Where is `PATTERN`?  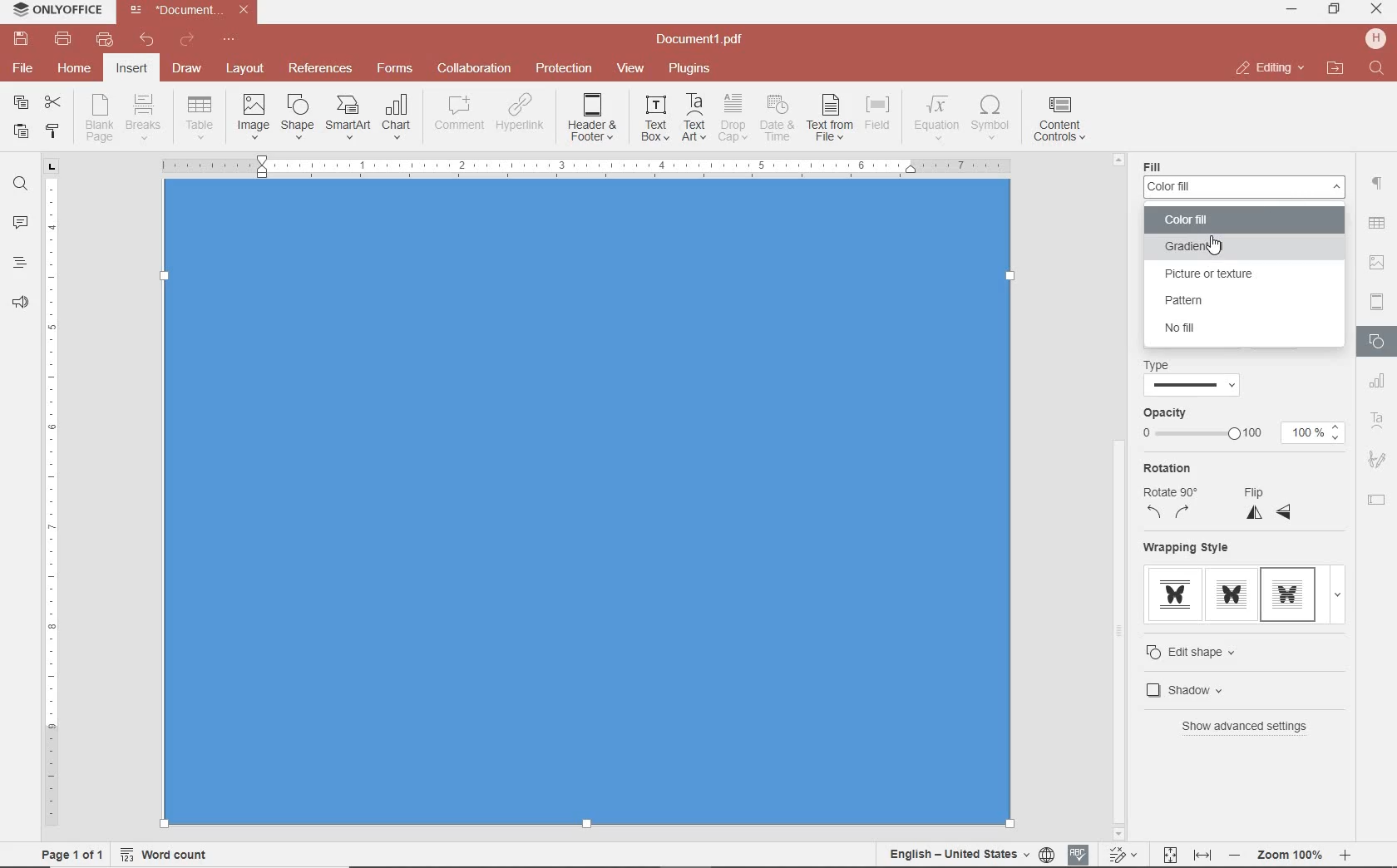 PATTERN is located at coordinates (1193, 300).